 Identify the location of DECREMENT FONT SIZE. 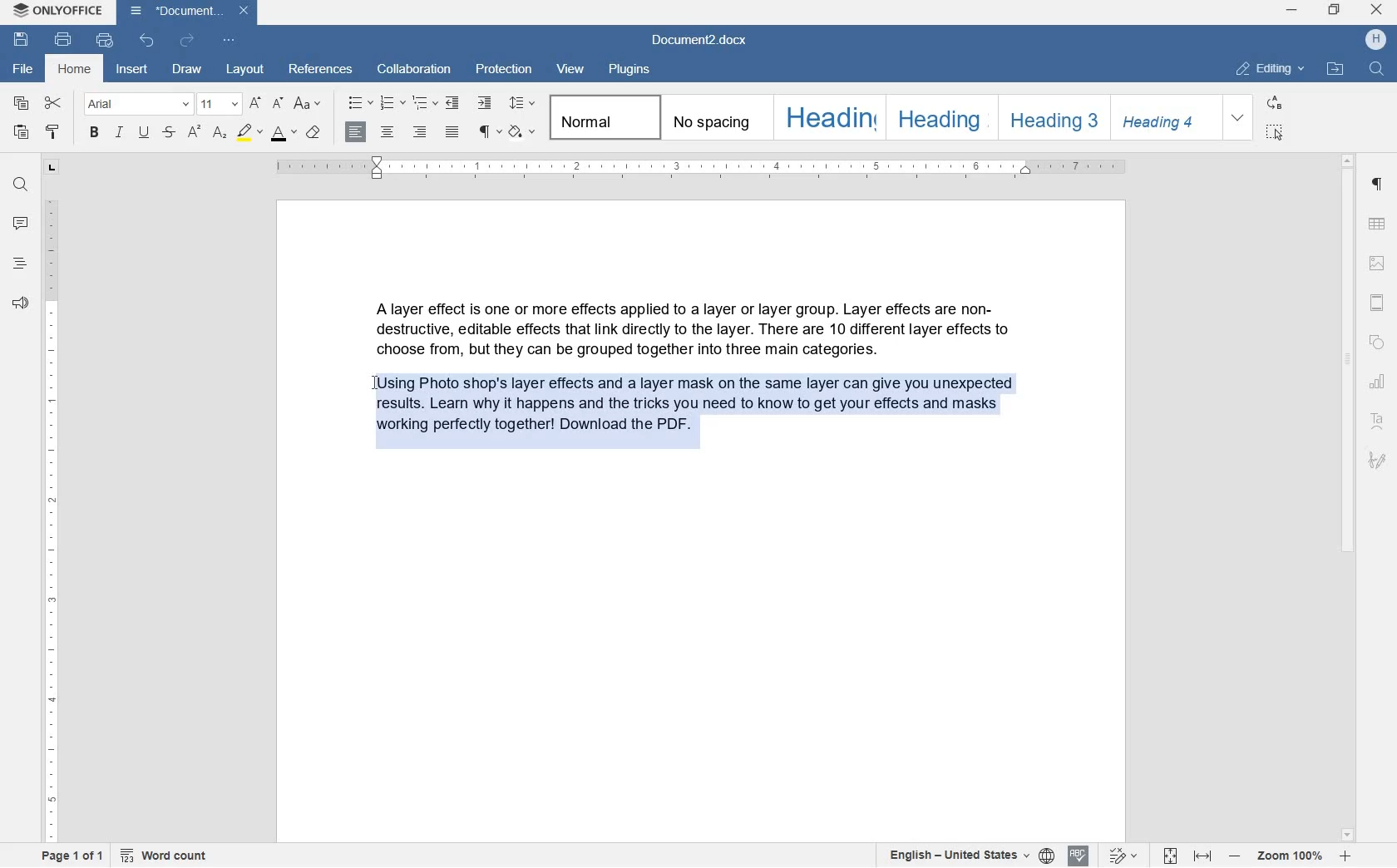
(279, 102).